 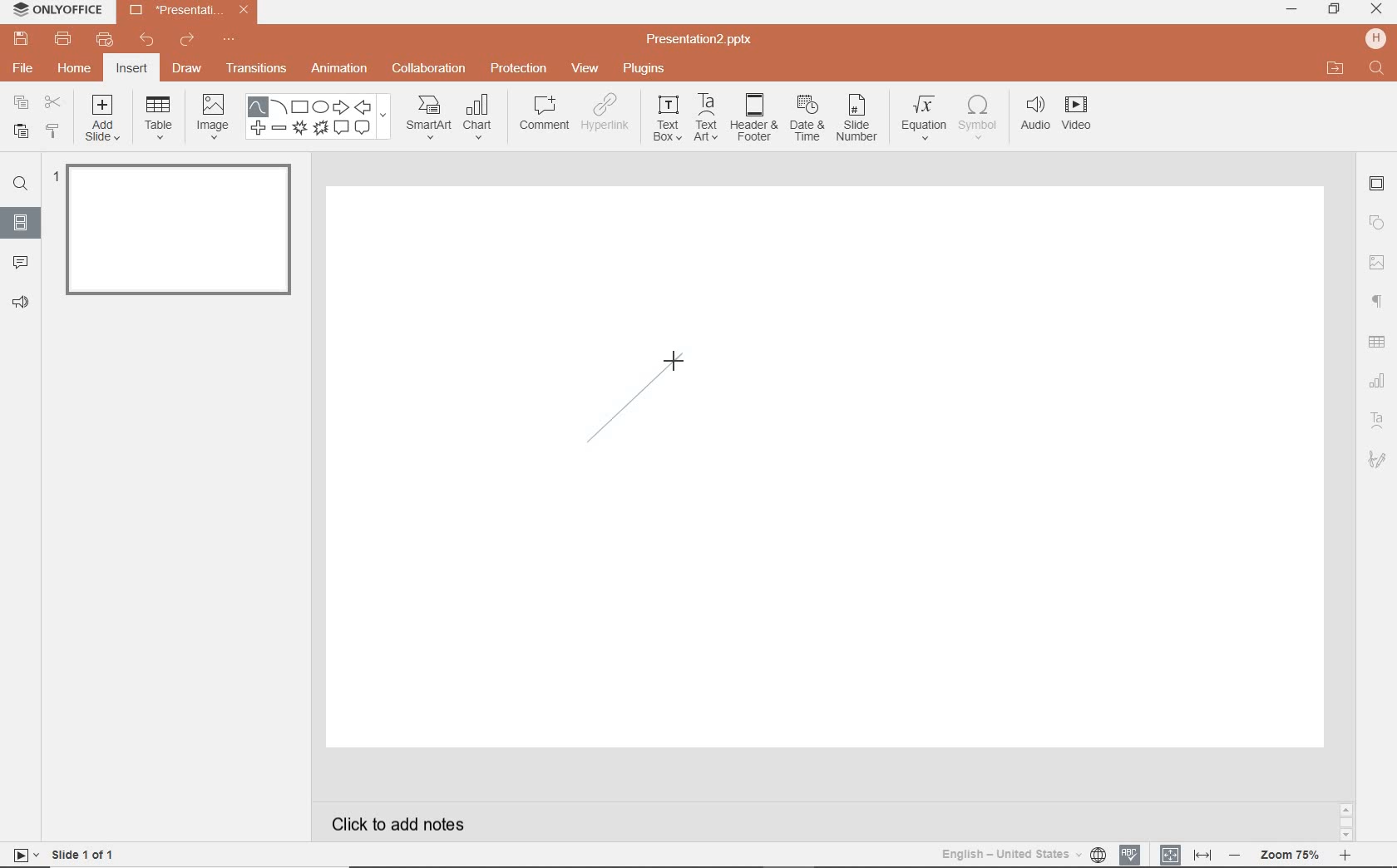 I want to click on TEXT BOX, so click(x=665, y=121).